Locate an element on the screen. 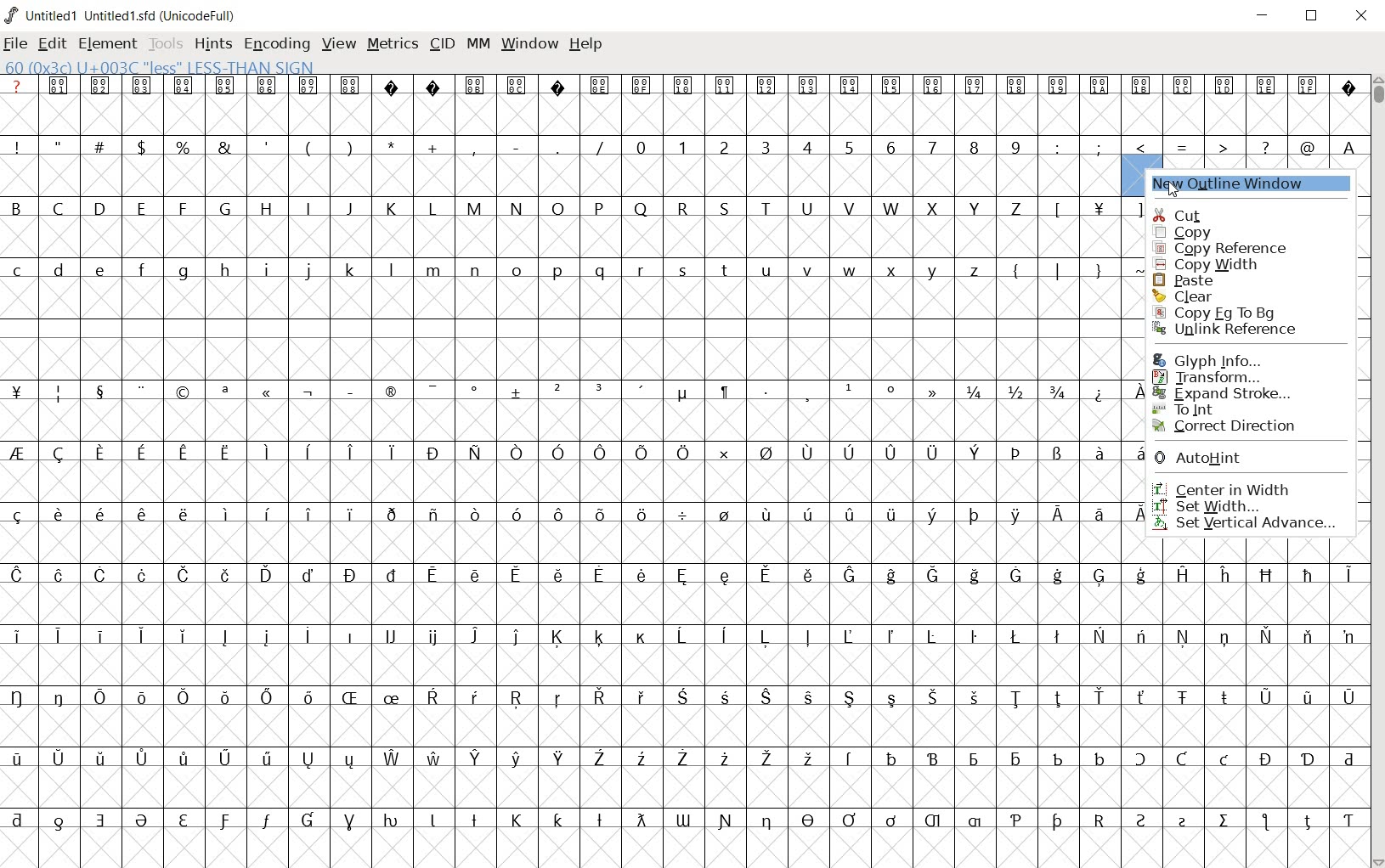 The height and width of the screenshot is (868, 1385).  is located at coordinates (1347, 146).